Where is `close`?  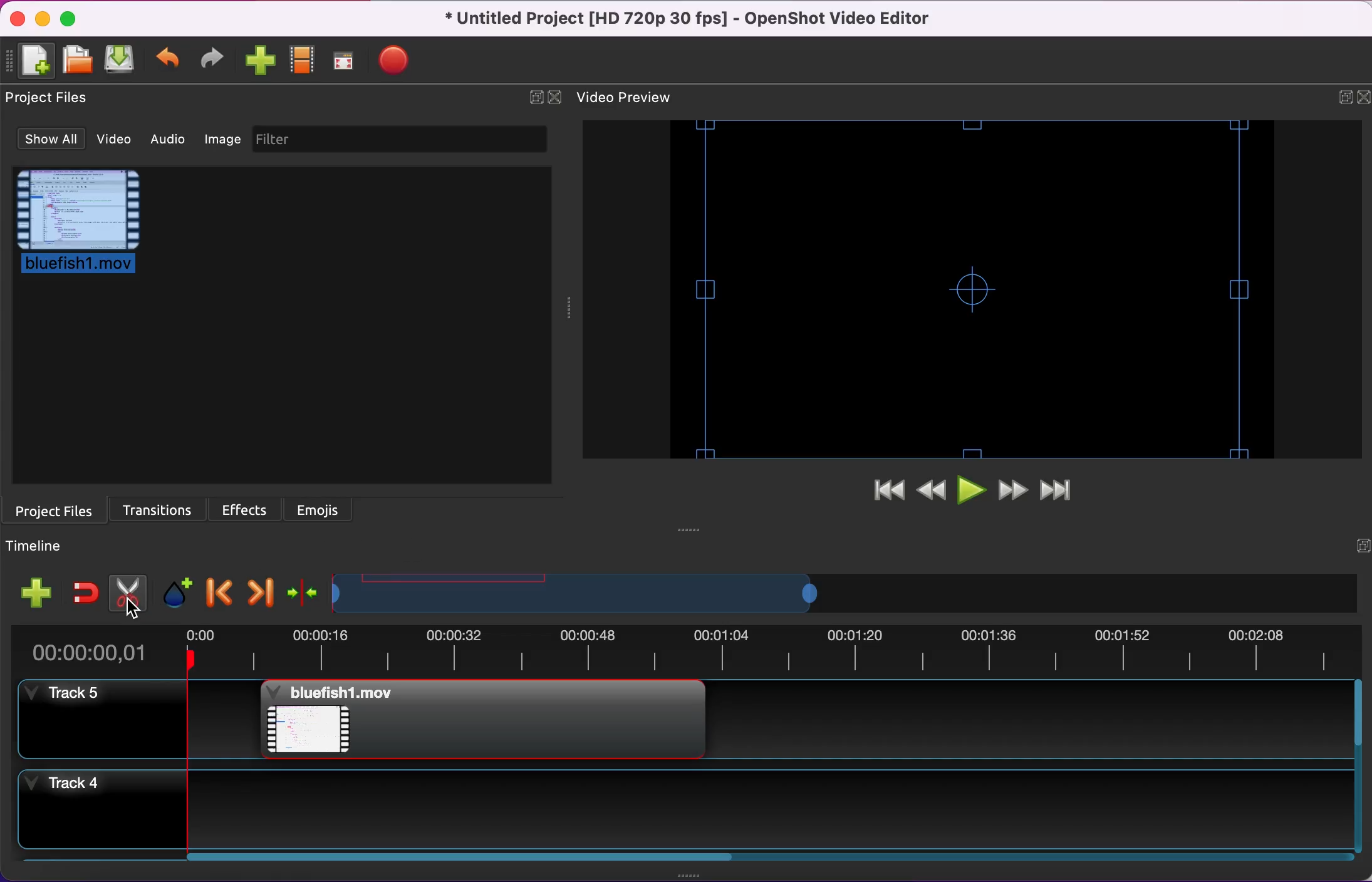
close is located at coordinates (556, 96).